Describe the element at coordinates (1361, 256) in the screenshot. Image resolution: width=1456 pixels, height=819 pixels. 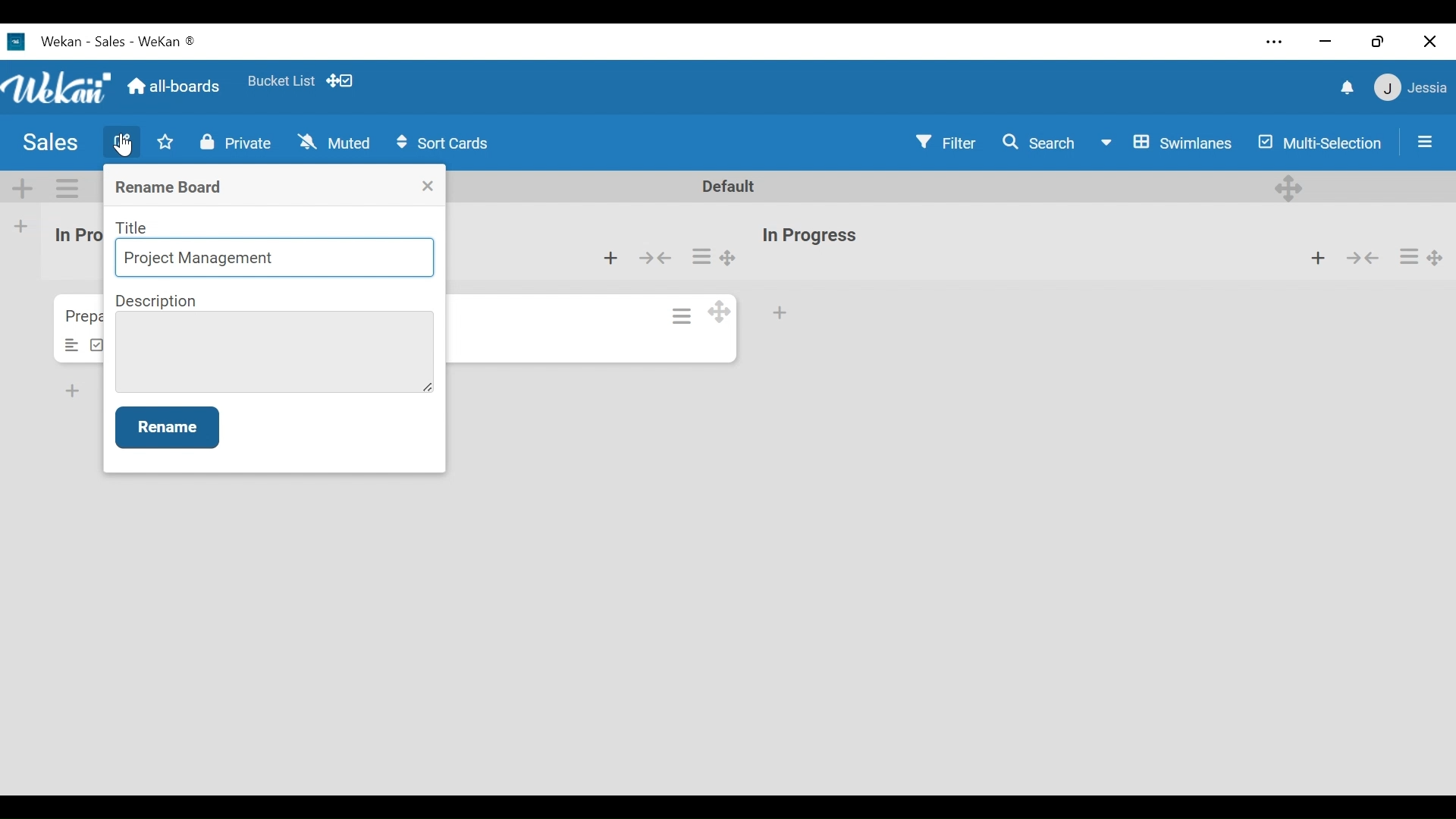
I see `Collapse` at that location.